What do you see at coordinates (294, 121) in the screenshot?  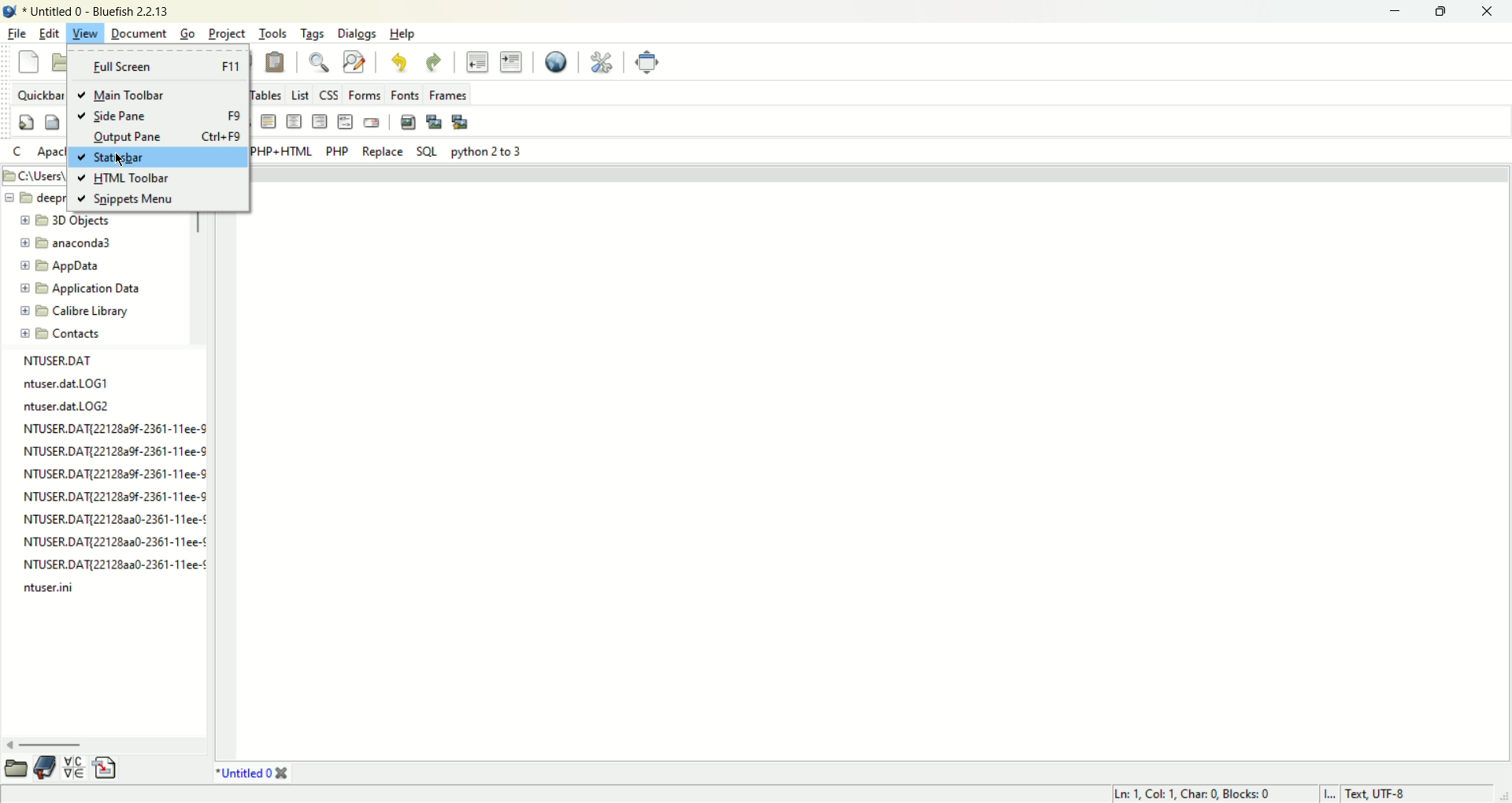 I see `center` at bounding box center [294, 121].